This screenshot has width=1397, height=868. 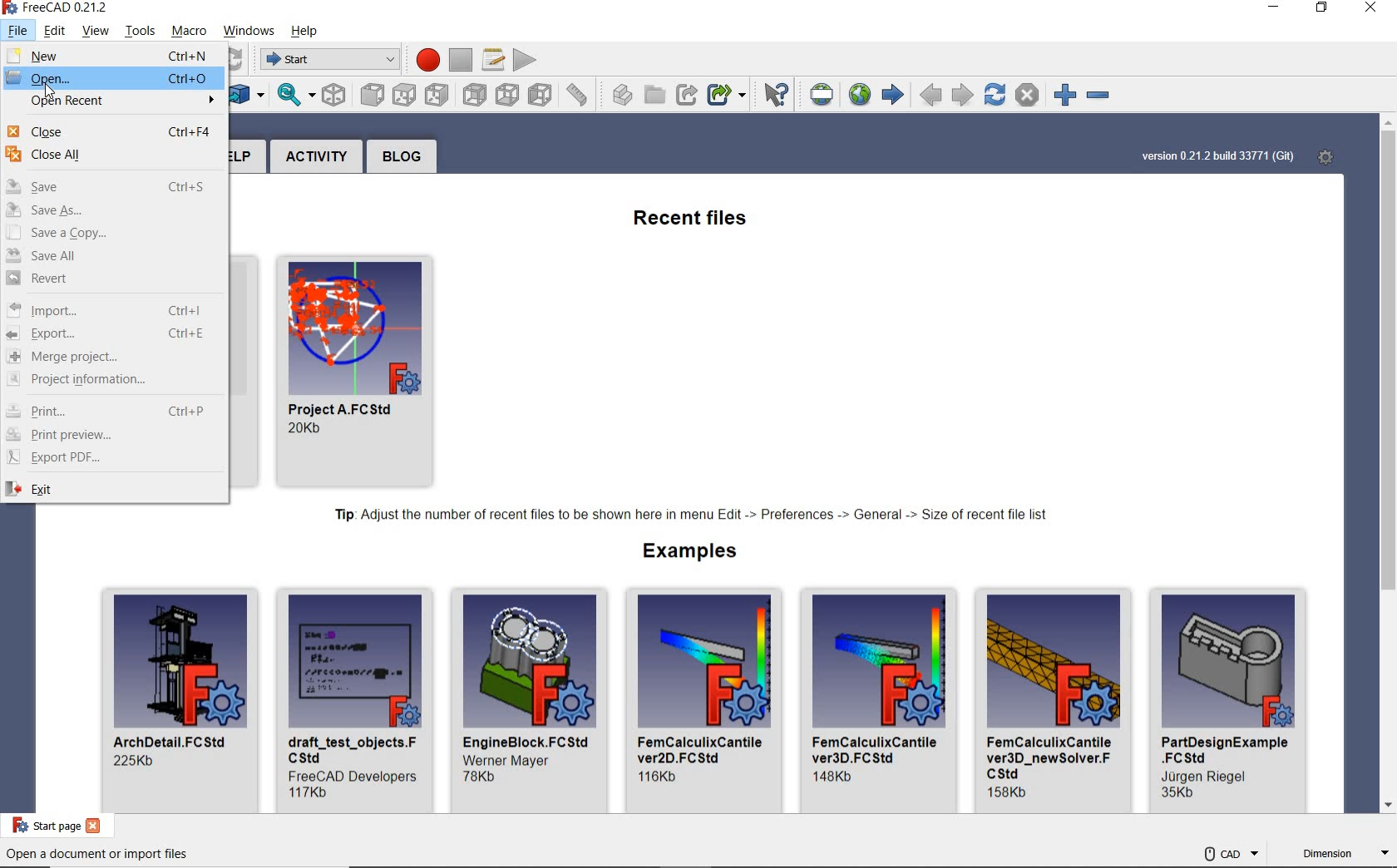 What do you see at coordinates (142, 32) in the screenshot?
I see `TOOLS` at bounding box center [142, 32].